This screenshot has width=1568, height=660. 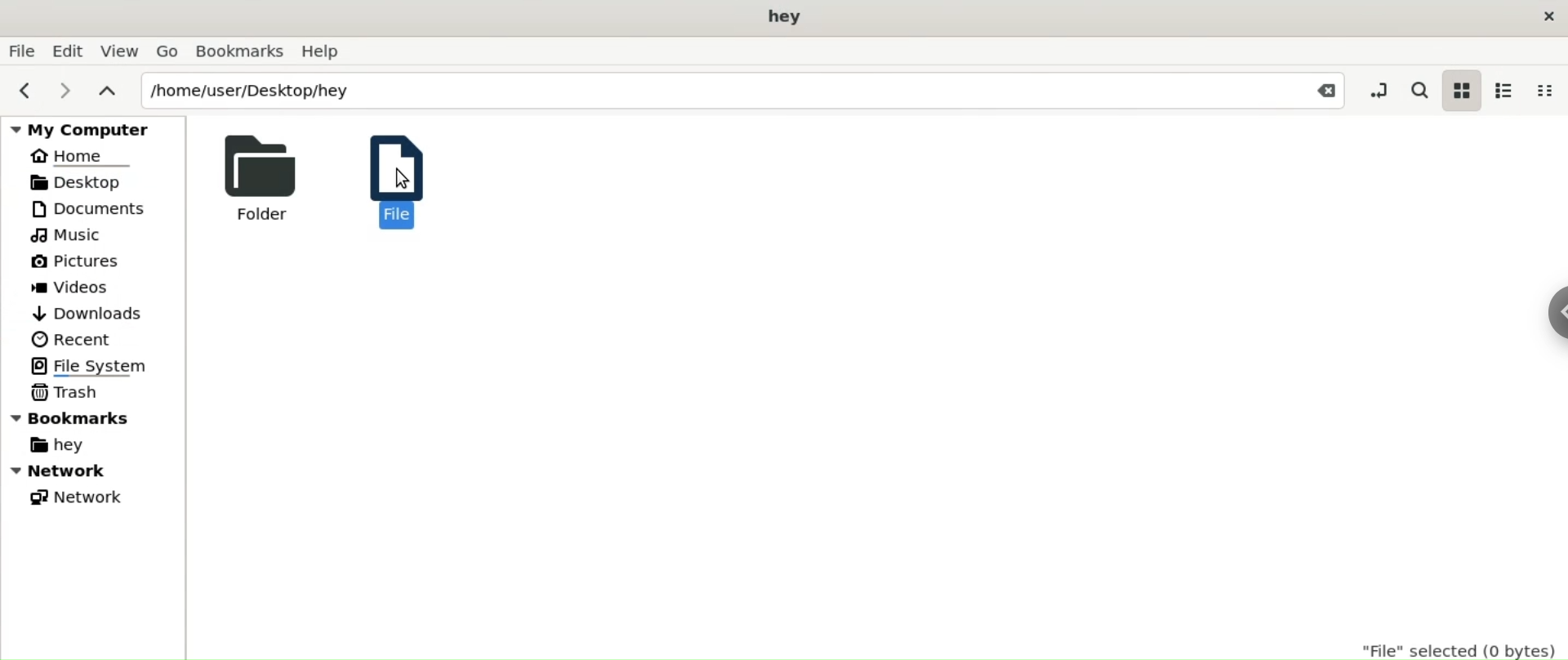 I want to click on File, so click(x=22, y=50).